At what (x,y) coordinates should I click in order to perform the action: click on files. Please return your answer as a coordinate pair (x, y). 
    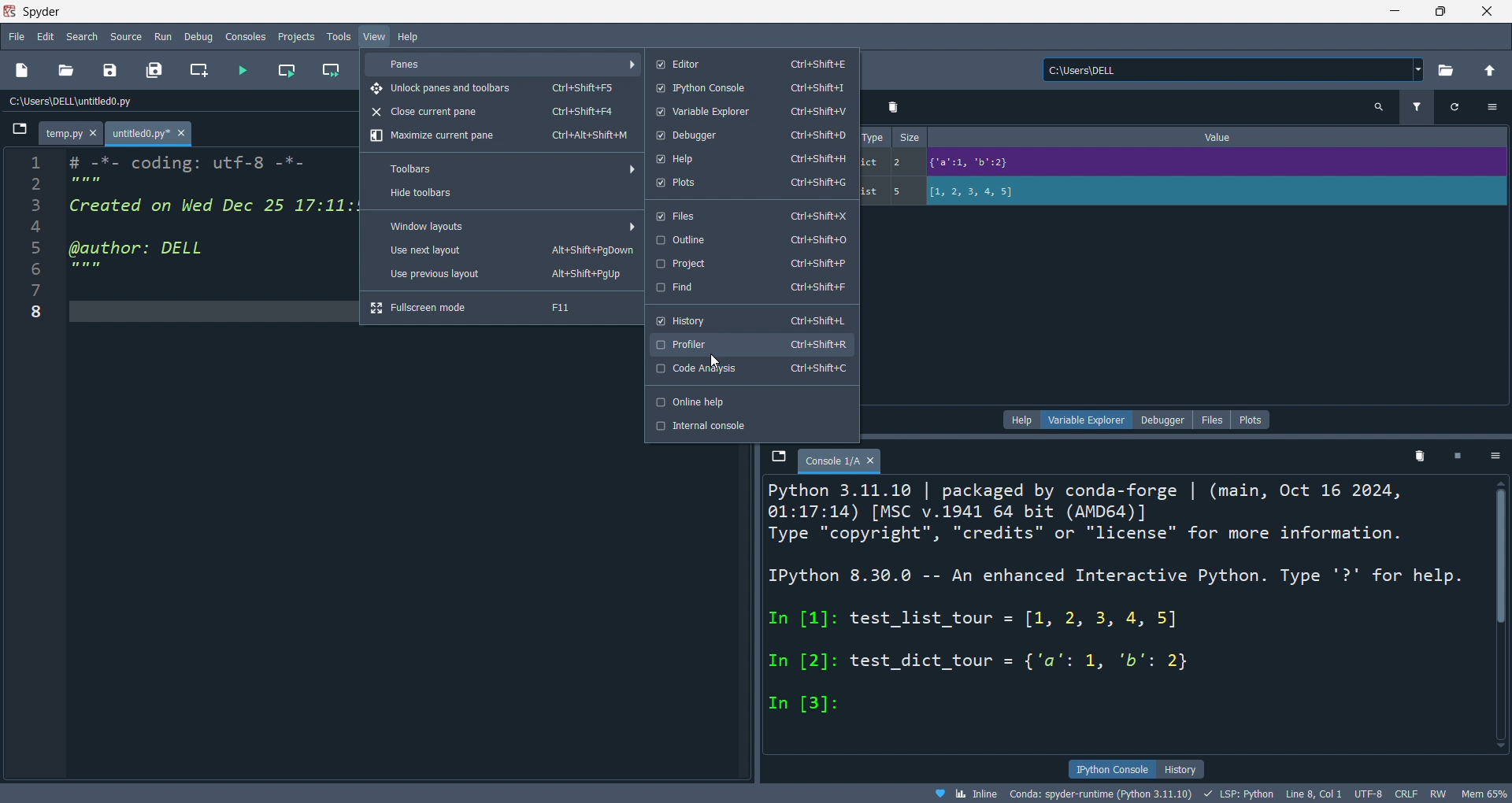
    Looking at the image, I should click on (754, 214).